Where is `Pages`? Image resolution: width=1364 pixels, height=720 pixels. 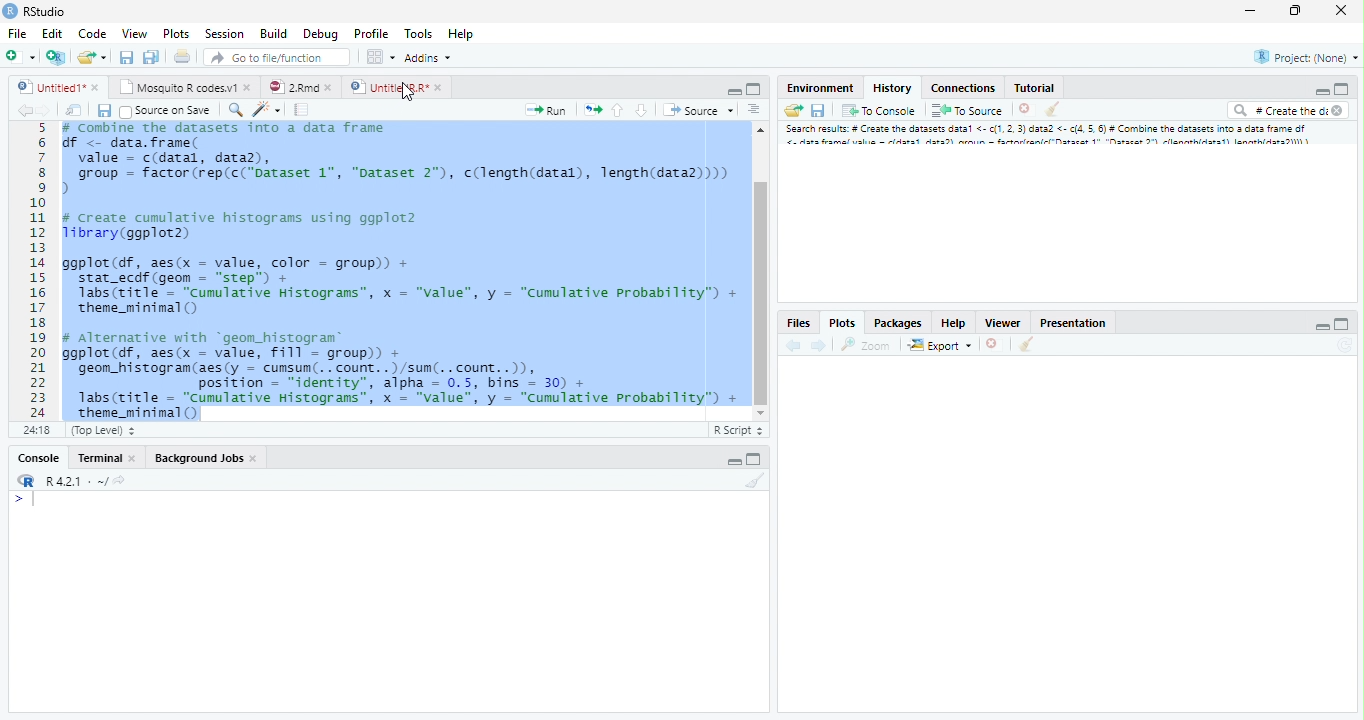
Pages is located at coordinates (593, 112).